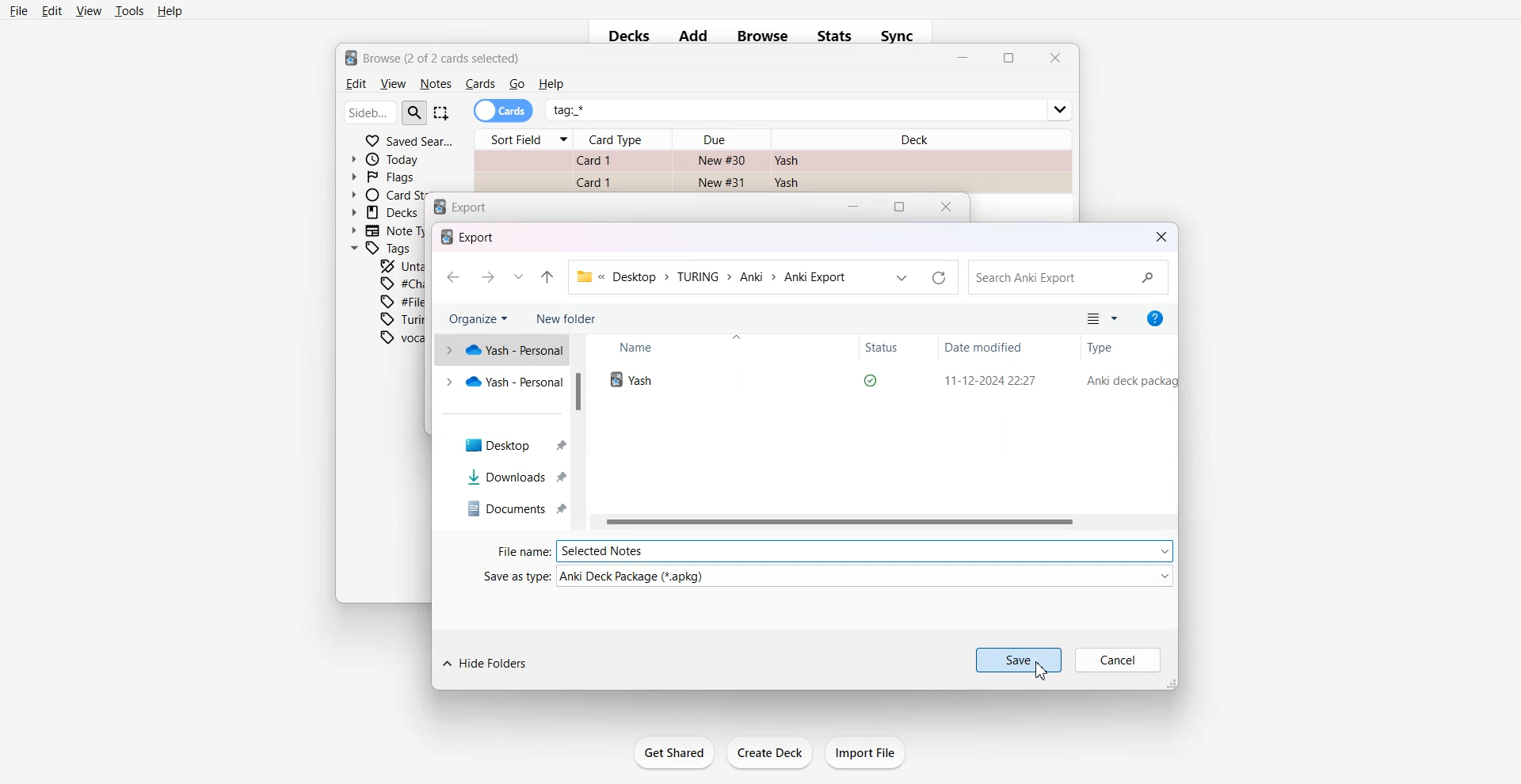 The width and height of the screenshot is (1521, 784). What do you see at coordinates (548, 276) in the screenshot?
I see `Up to` at bounding box center [548, 276].